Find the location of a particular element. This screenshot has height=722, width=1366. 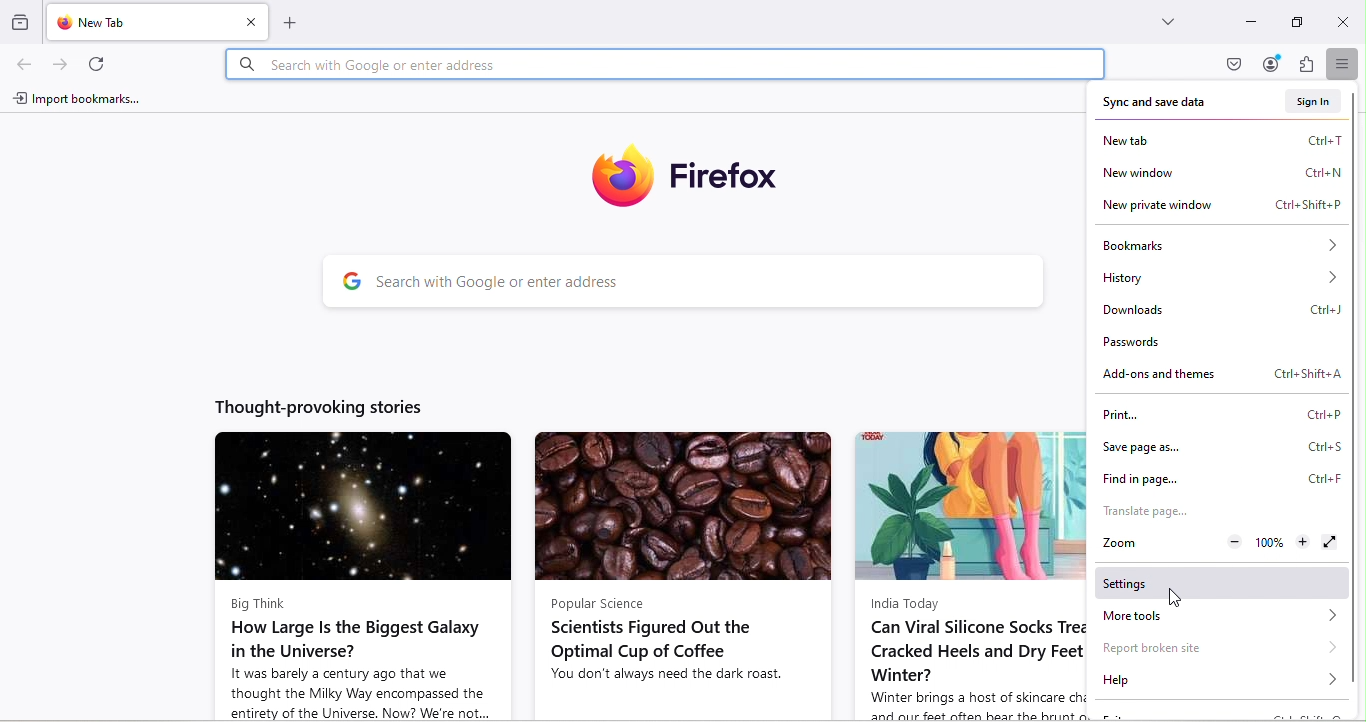

Open application menu is located at coordinates (1341, 64).